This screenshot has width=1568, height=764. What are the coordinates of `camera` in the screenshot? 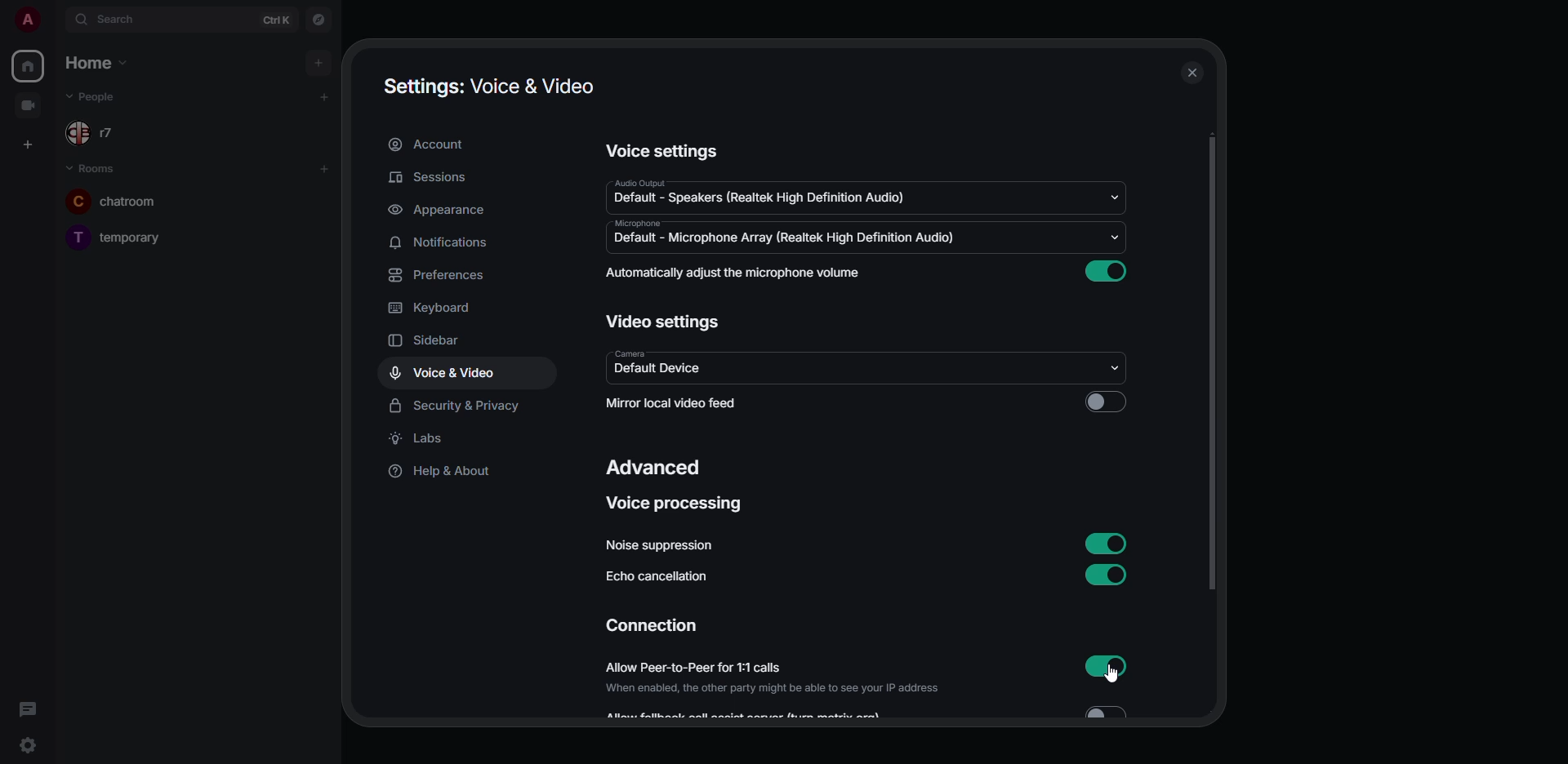 It's located at (631, 350).